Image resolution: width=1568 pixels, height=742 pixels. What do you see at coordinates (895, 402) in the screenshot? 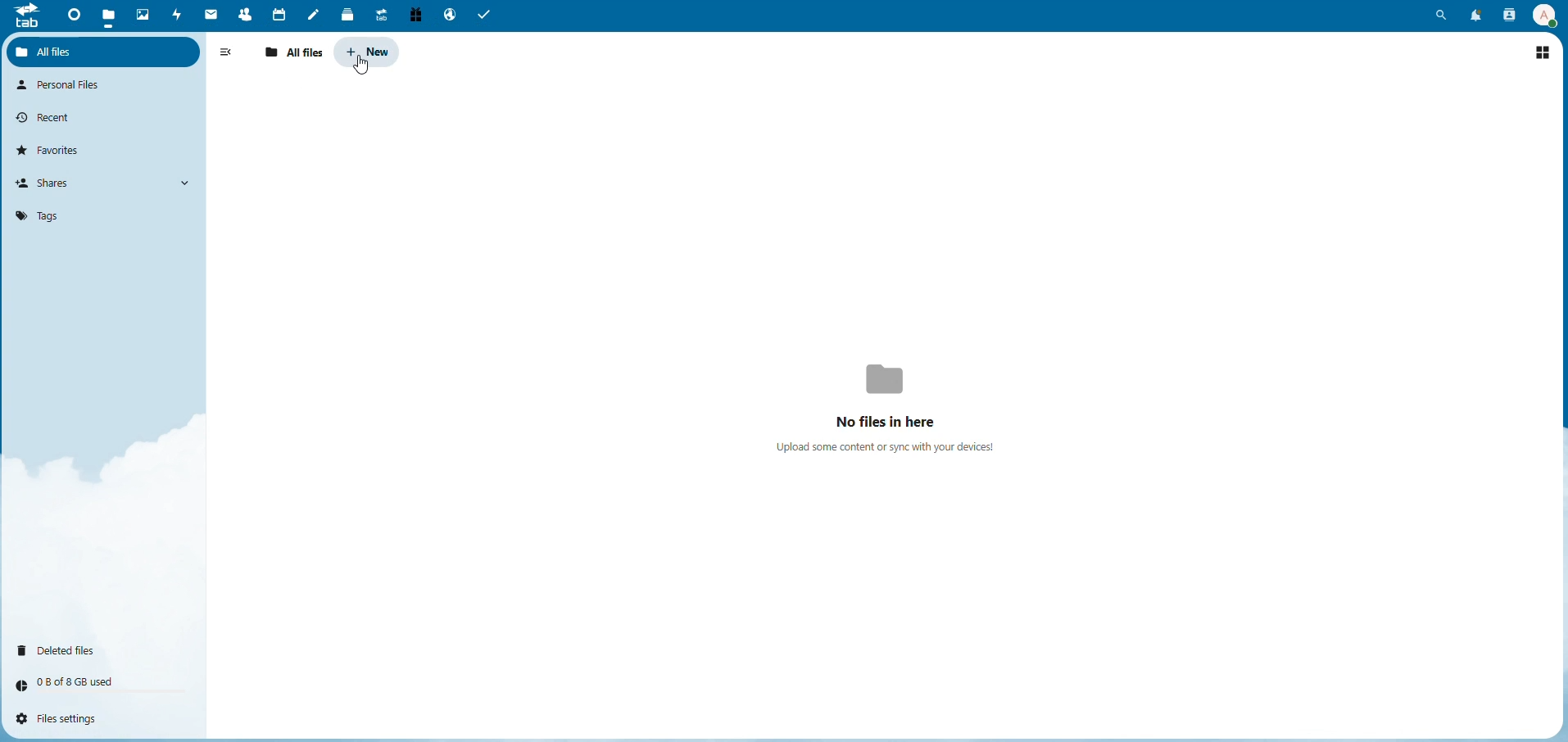
I see `Text` at bounding box center [895, 402].